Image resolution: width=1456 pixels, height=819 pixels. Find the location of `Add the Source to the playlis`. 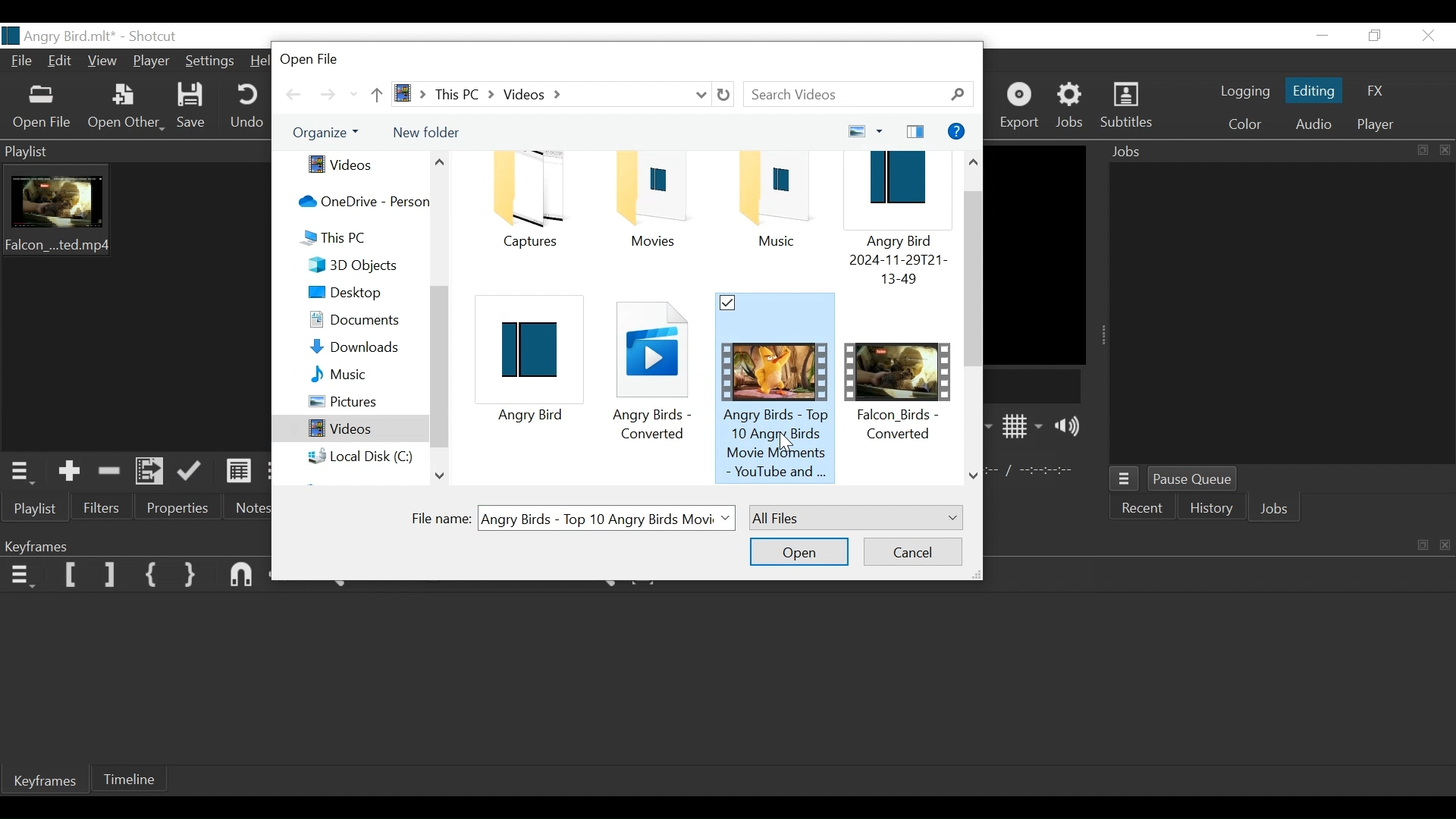

Add the Source to the playlis is located at coordinates (70, 470).